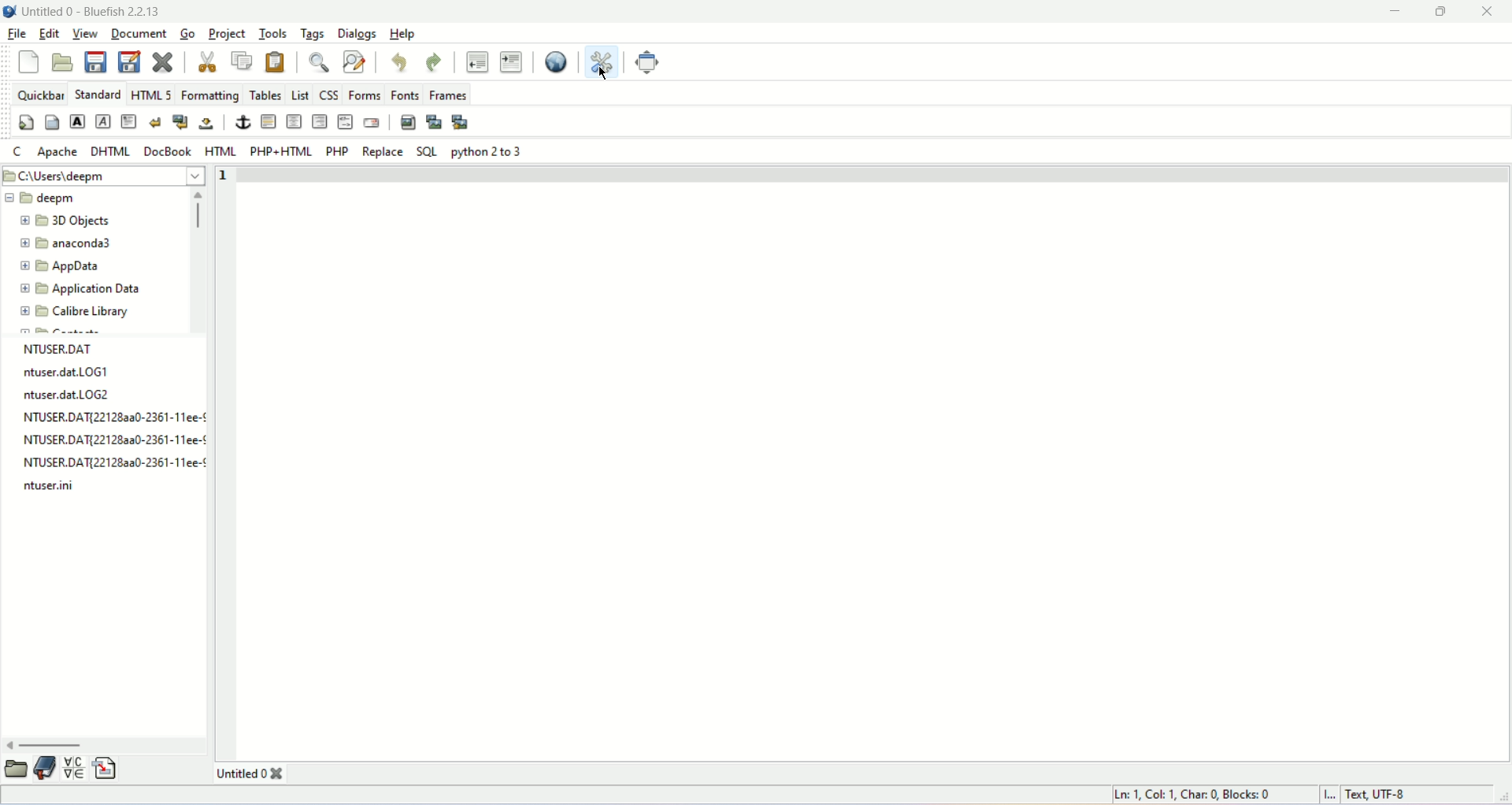  What do you see at coordinates (460, 122) in the screenshot?
I see `Multi thumbnail` at bounding box center [460, 122].